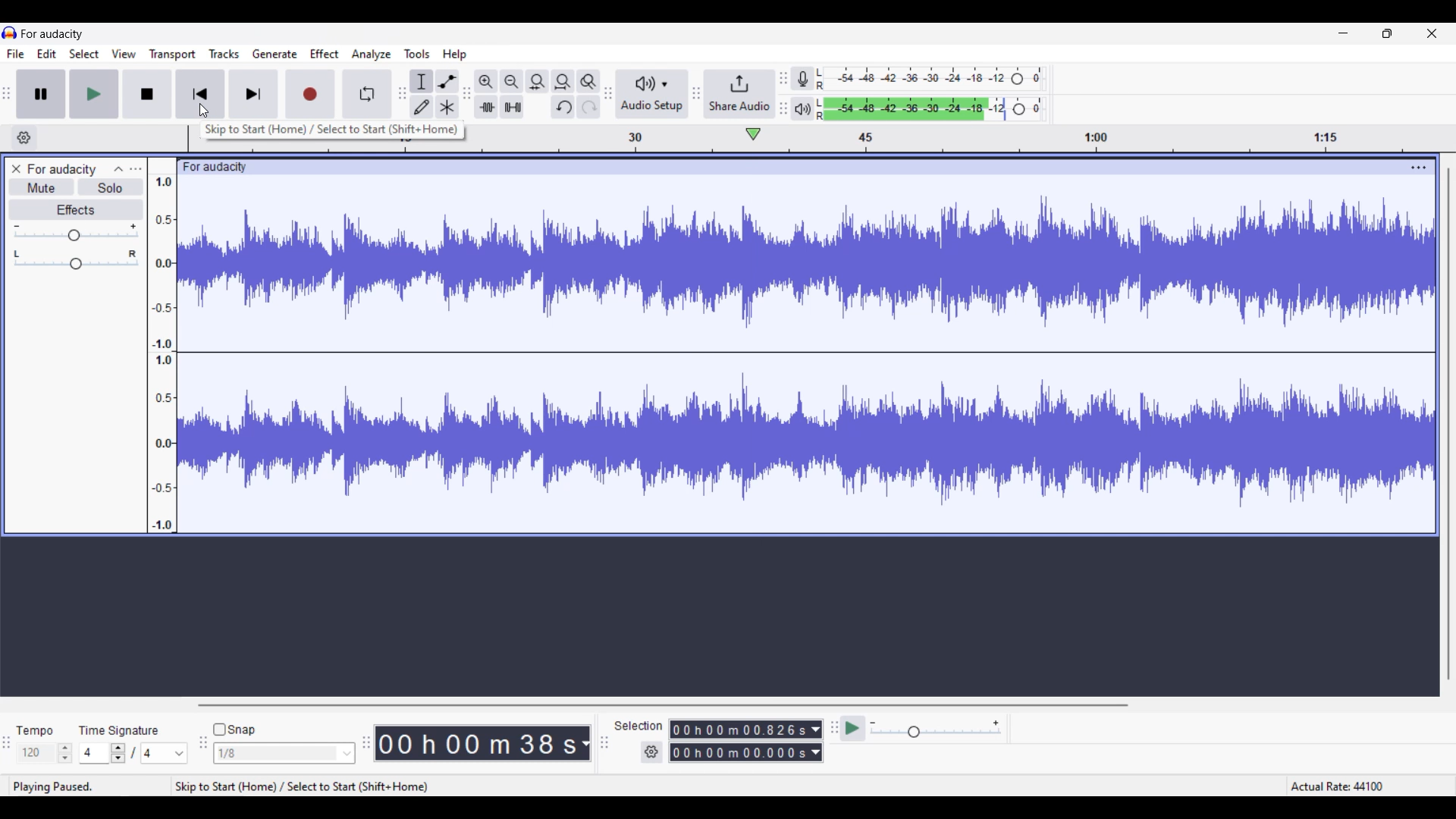 The image size is (1456, 819). What do you see at coordinates (52, 33) in the screenshot?
I see `For audacity` at bounding box center [52, 33].